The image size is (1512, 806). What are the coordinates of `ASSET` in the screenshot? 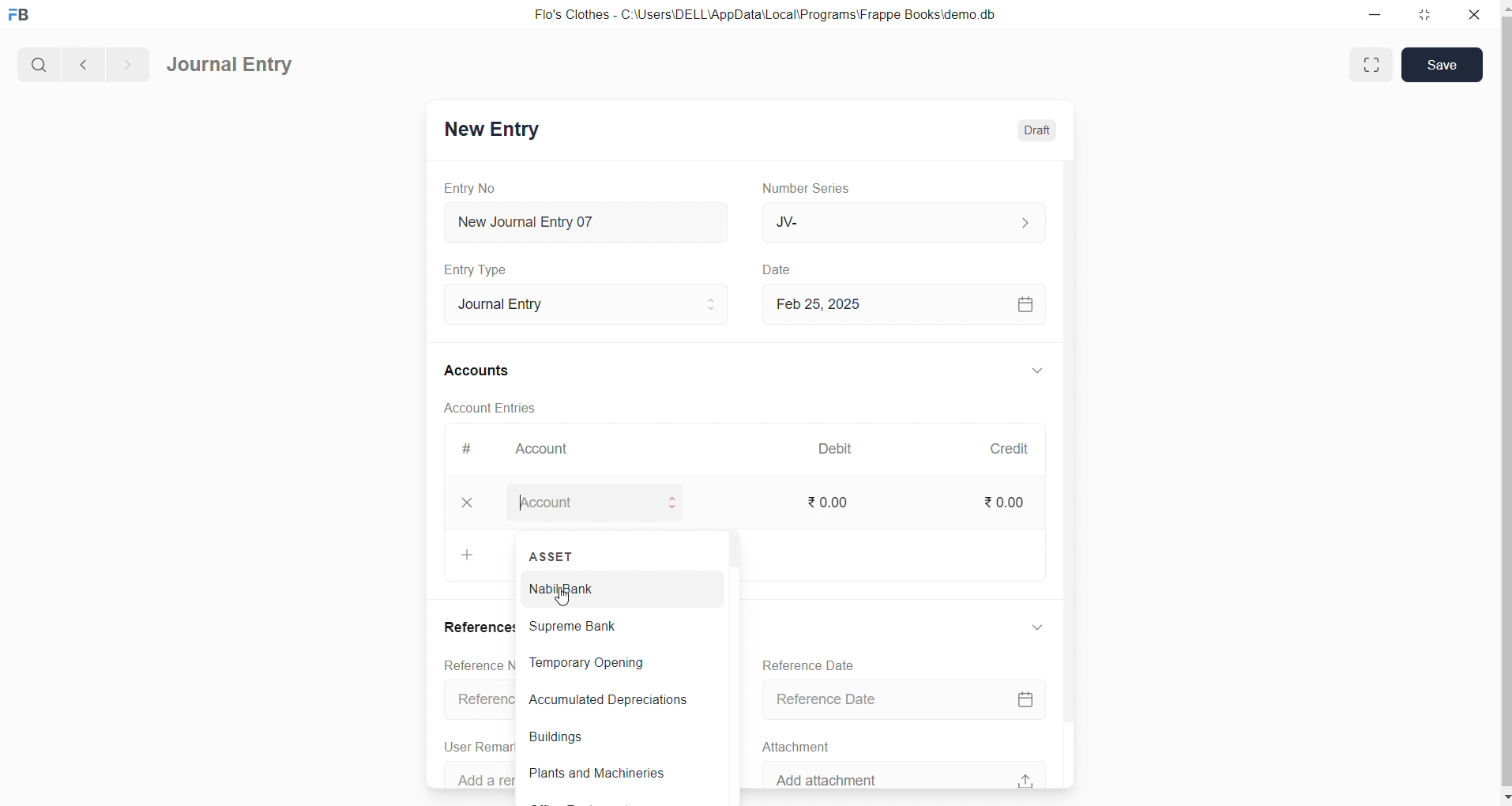 It's located at (553, 553).